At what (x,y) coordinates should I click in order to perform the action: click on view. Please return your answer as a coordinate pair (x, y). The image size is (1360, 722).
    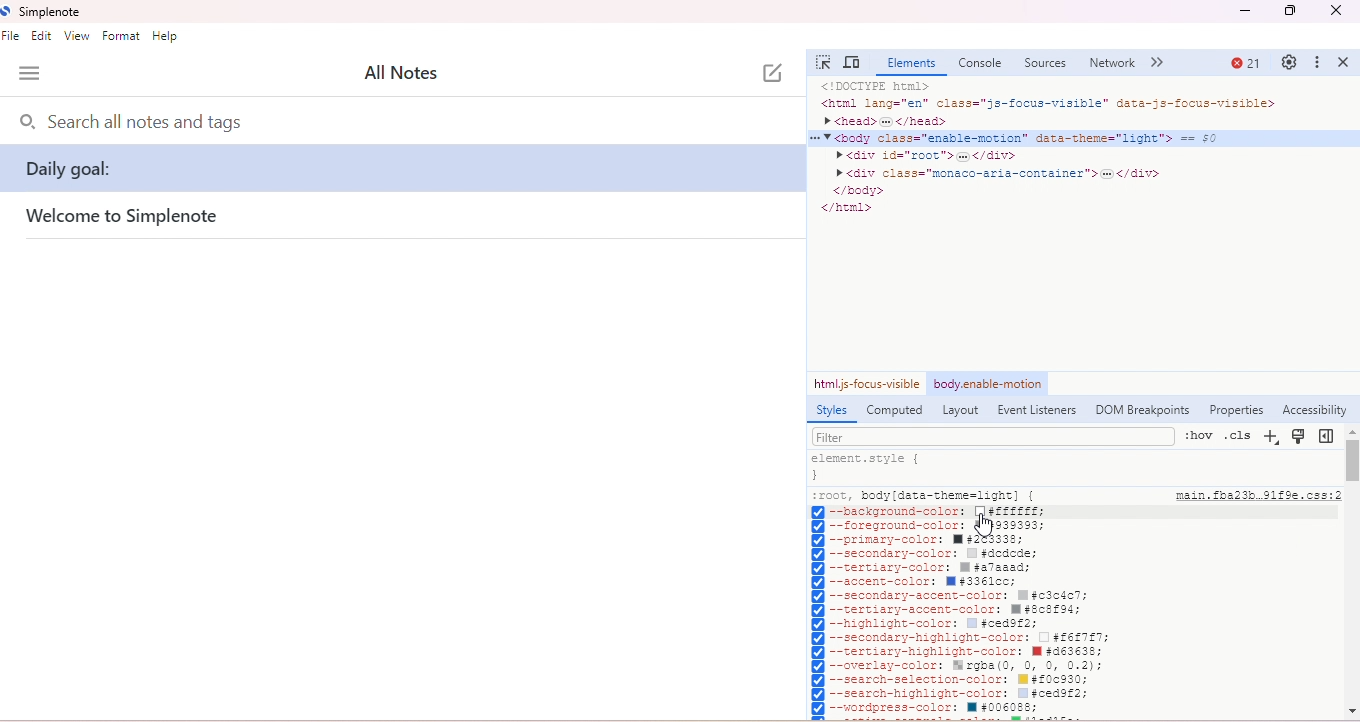
    Looking at the image, I should click on (76, 36).